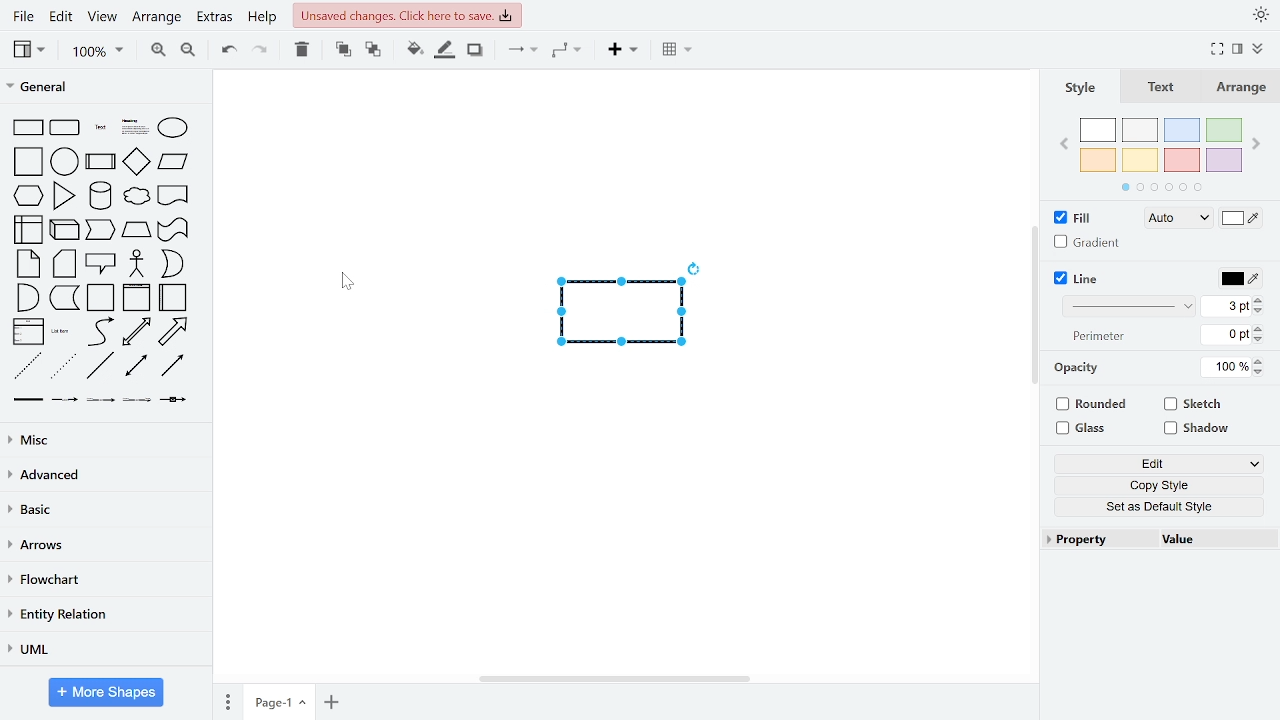 This screenshot has height=720, width=1280. I want to click on general shapes, so click(97, 332).